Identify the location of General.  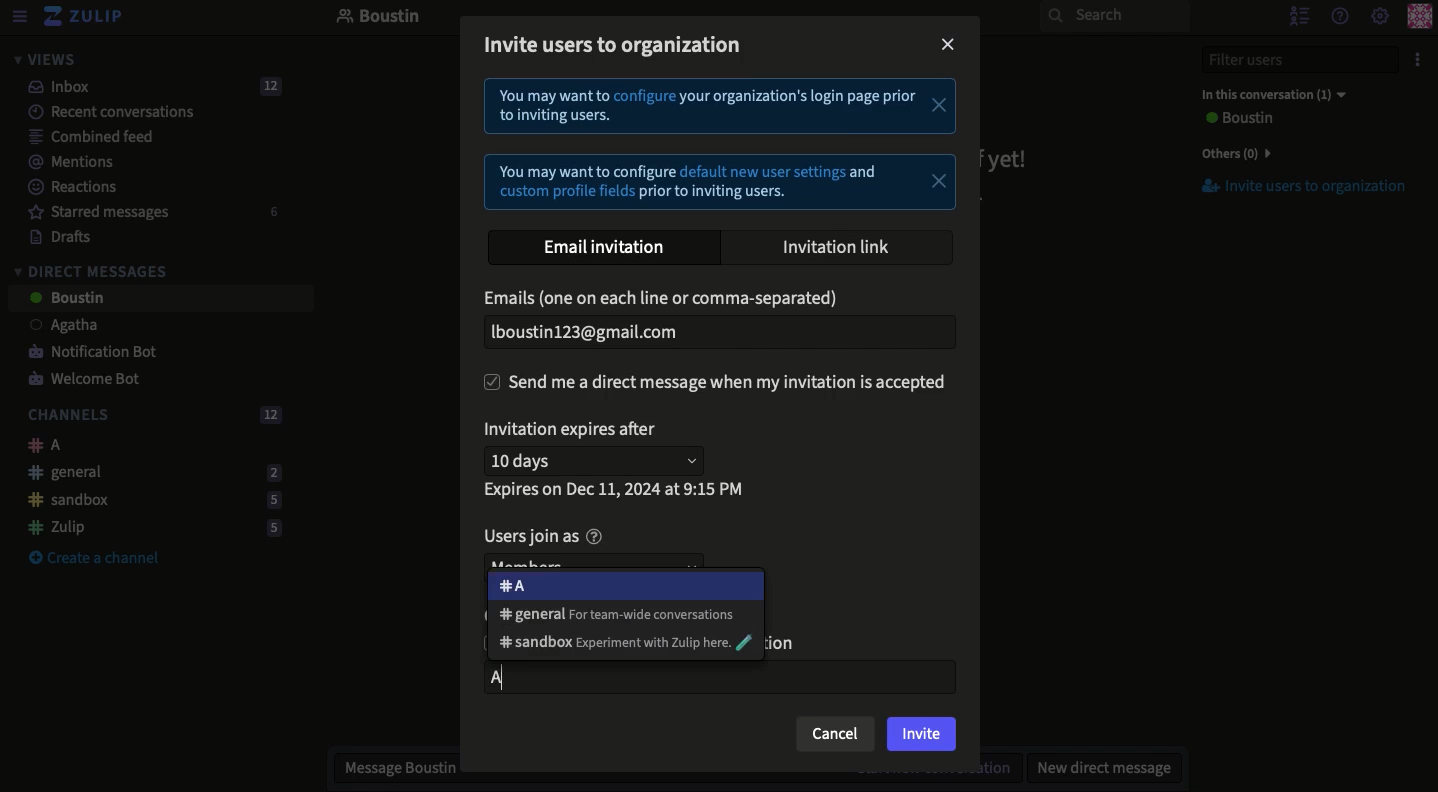
(621, 617).